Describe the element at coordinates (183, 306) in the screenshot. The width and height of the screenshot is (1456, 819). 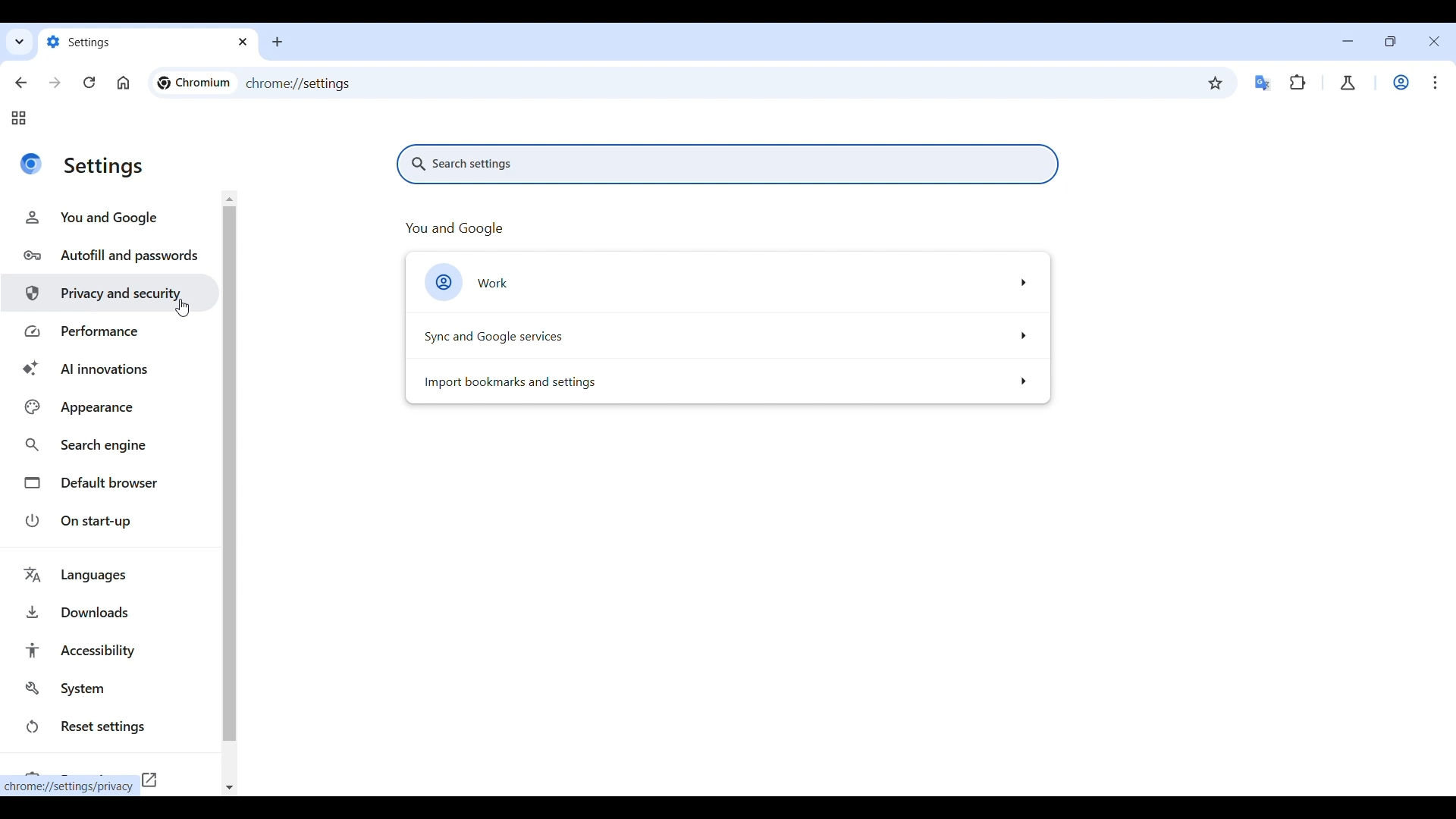
I see `Cursor` at that location.